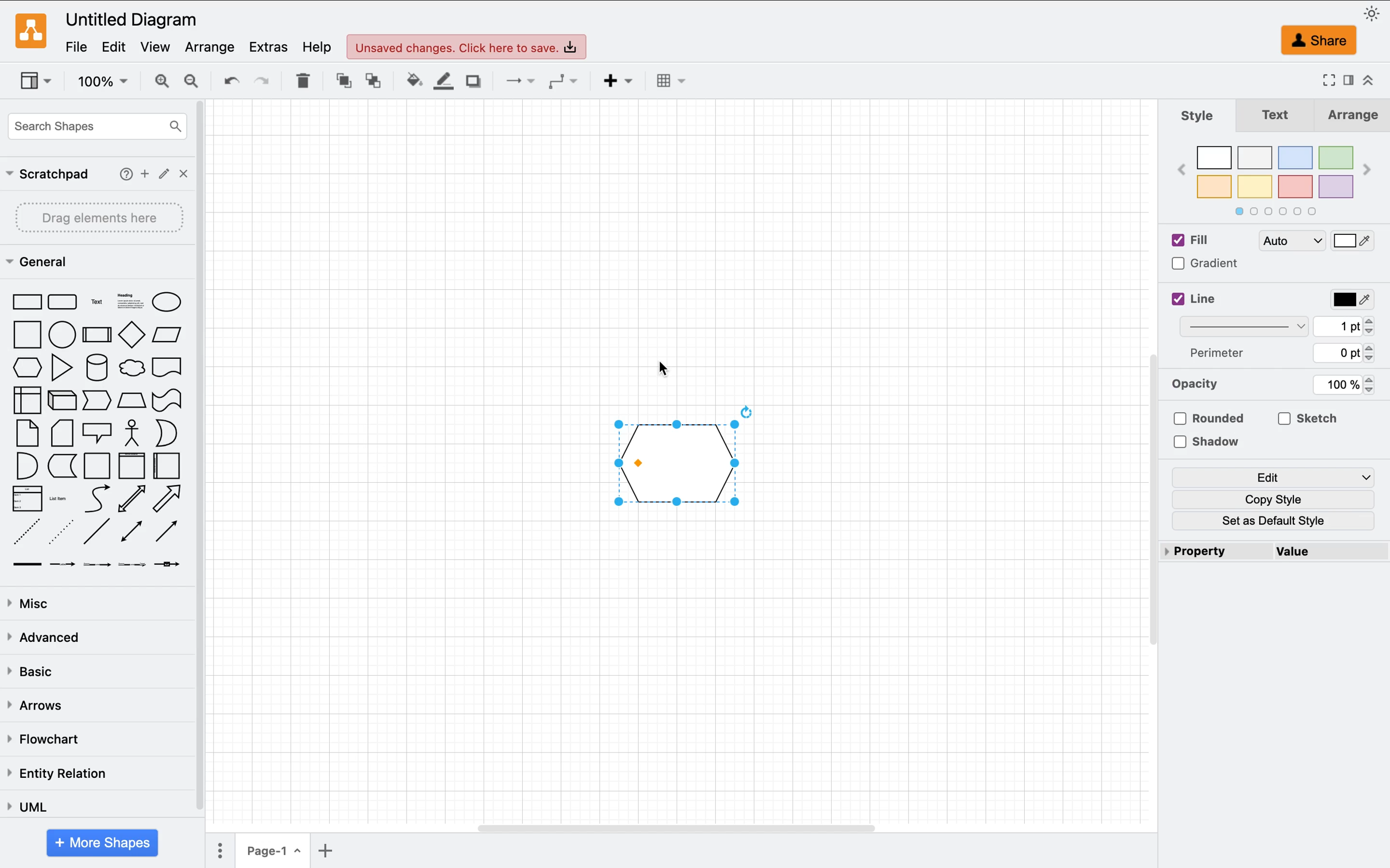 This screenshot has width=1390, height=868. What do you see at coordinates (96, 300) in the screenshot?
I see `text` at bounding box center [96, 300].